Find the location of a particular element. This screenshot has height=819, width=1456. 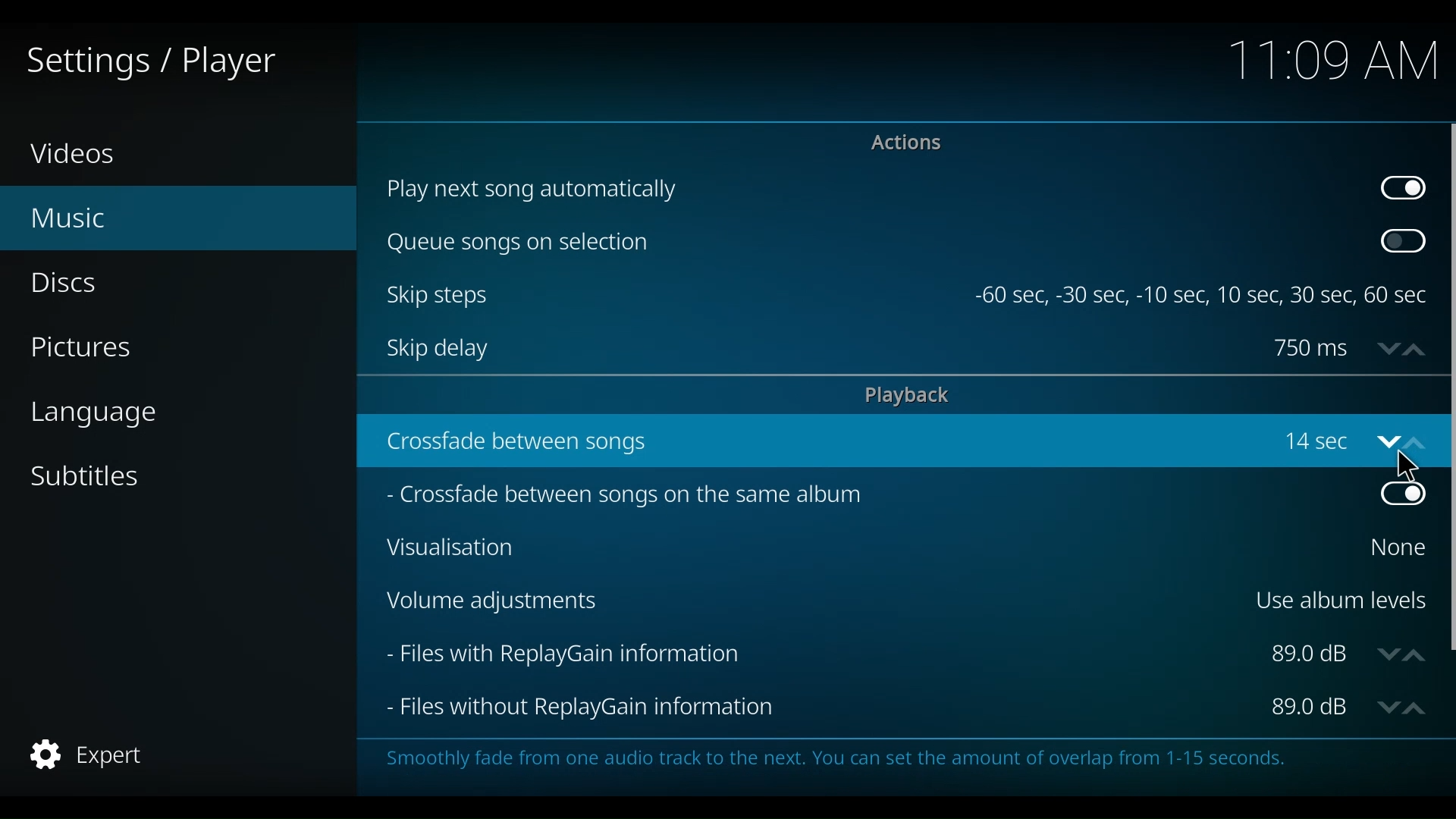

down is located at coordinates (1387, 654).